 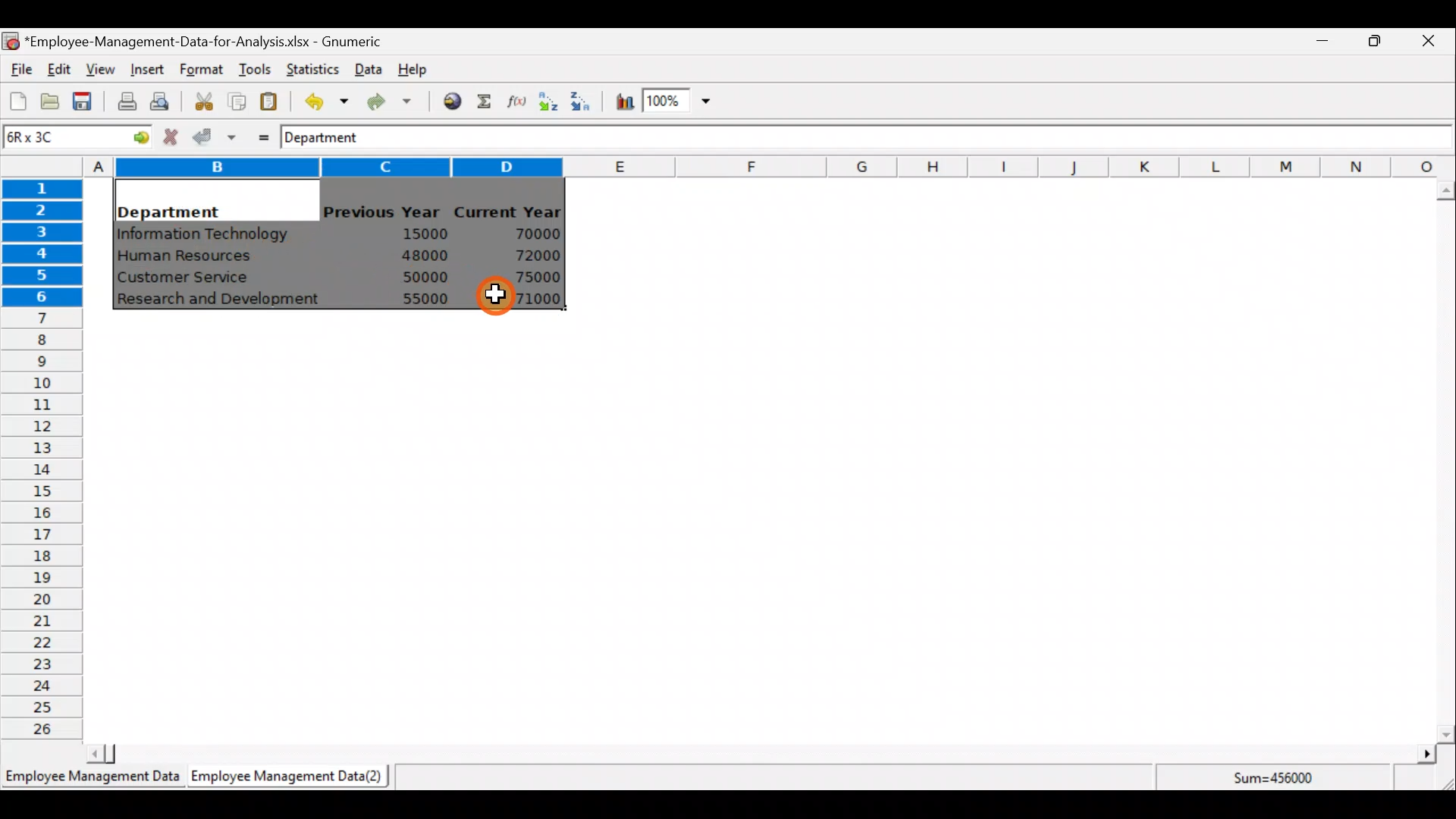 I want to click on Edit a function in the current cell, so click(x=516, y=100).